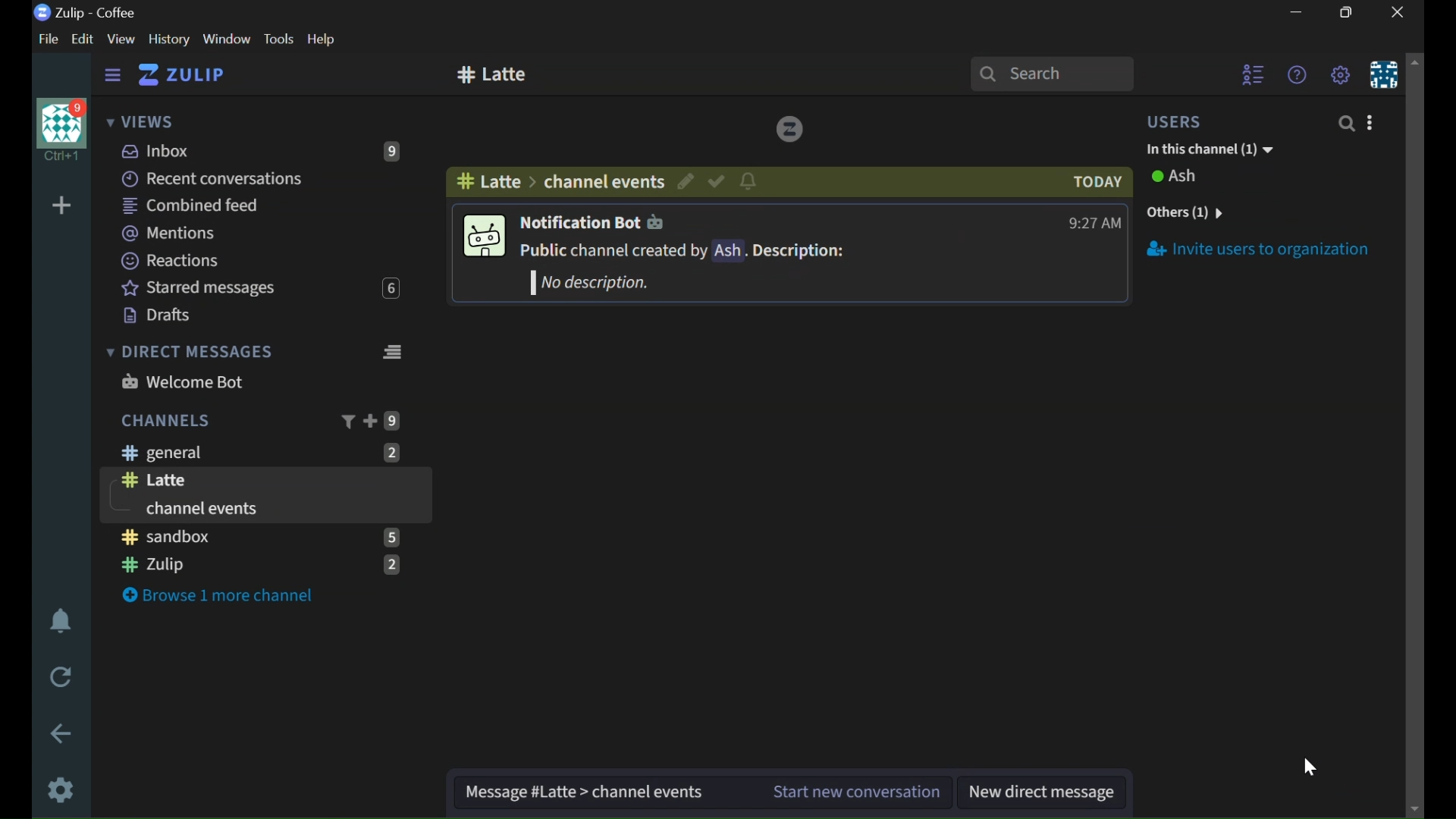 The image size is (1456, 819). What do you see at coordinates (253, 313) in the screenshot?
I see `DRAFTS` at bounding box center [253, 313].